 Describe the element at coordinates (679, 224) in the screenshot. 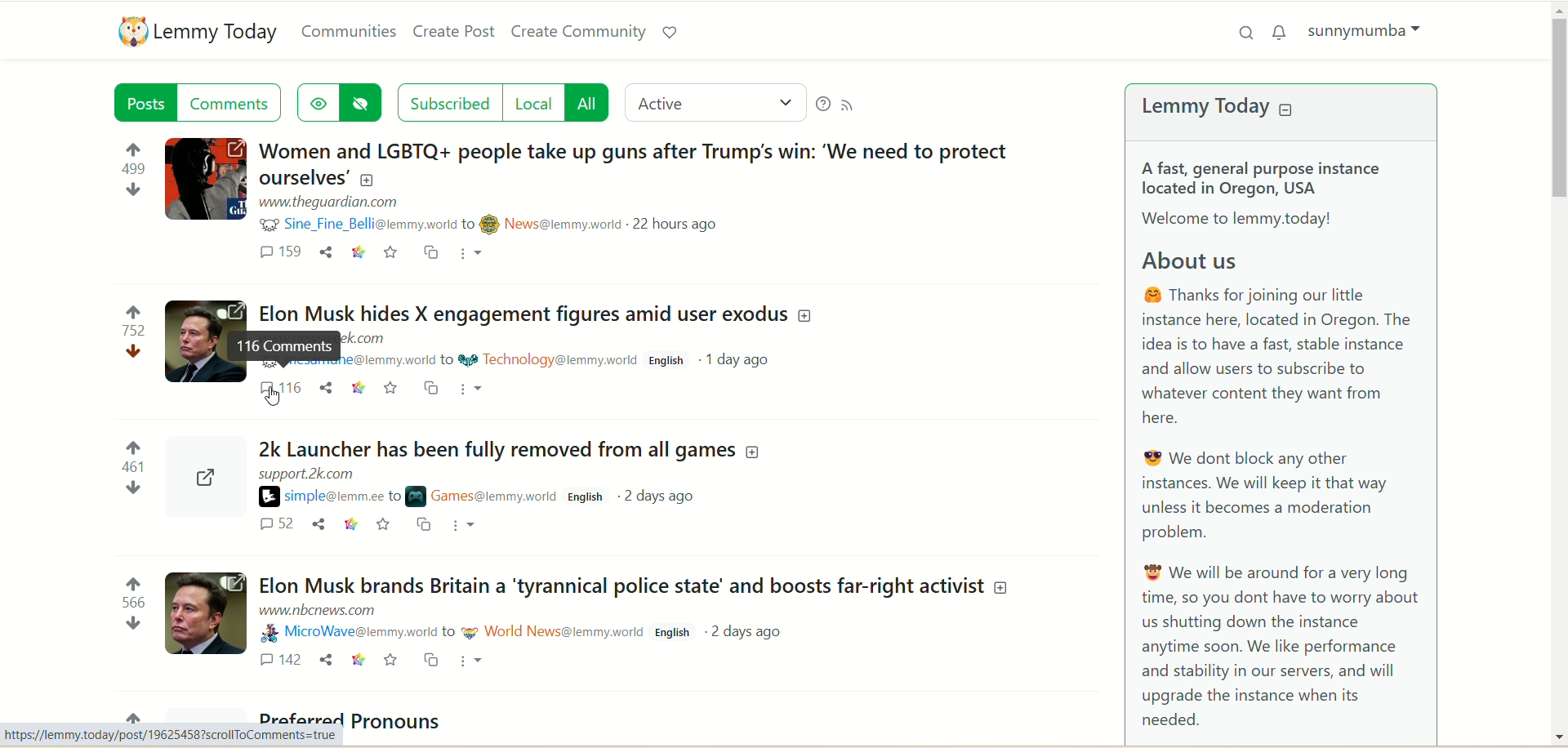

I see `post time` at that location.